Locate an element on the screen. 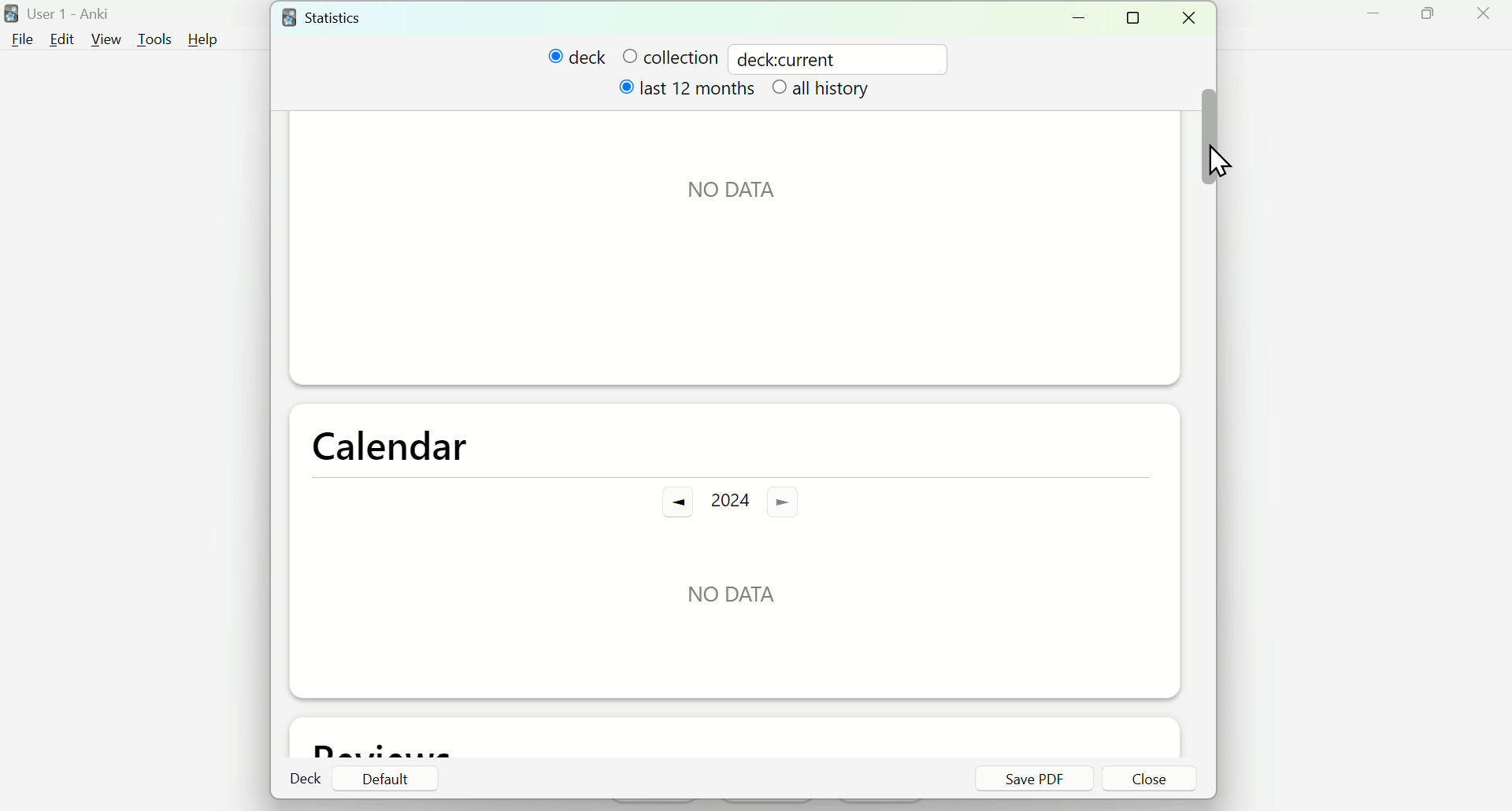  Deck is located at coordinates (307, 779).